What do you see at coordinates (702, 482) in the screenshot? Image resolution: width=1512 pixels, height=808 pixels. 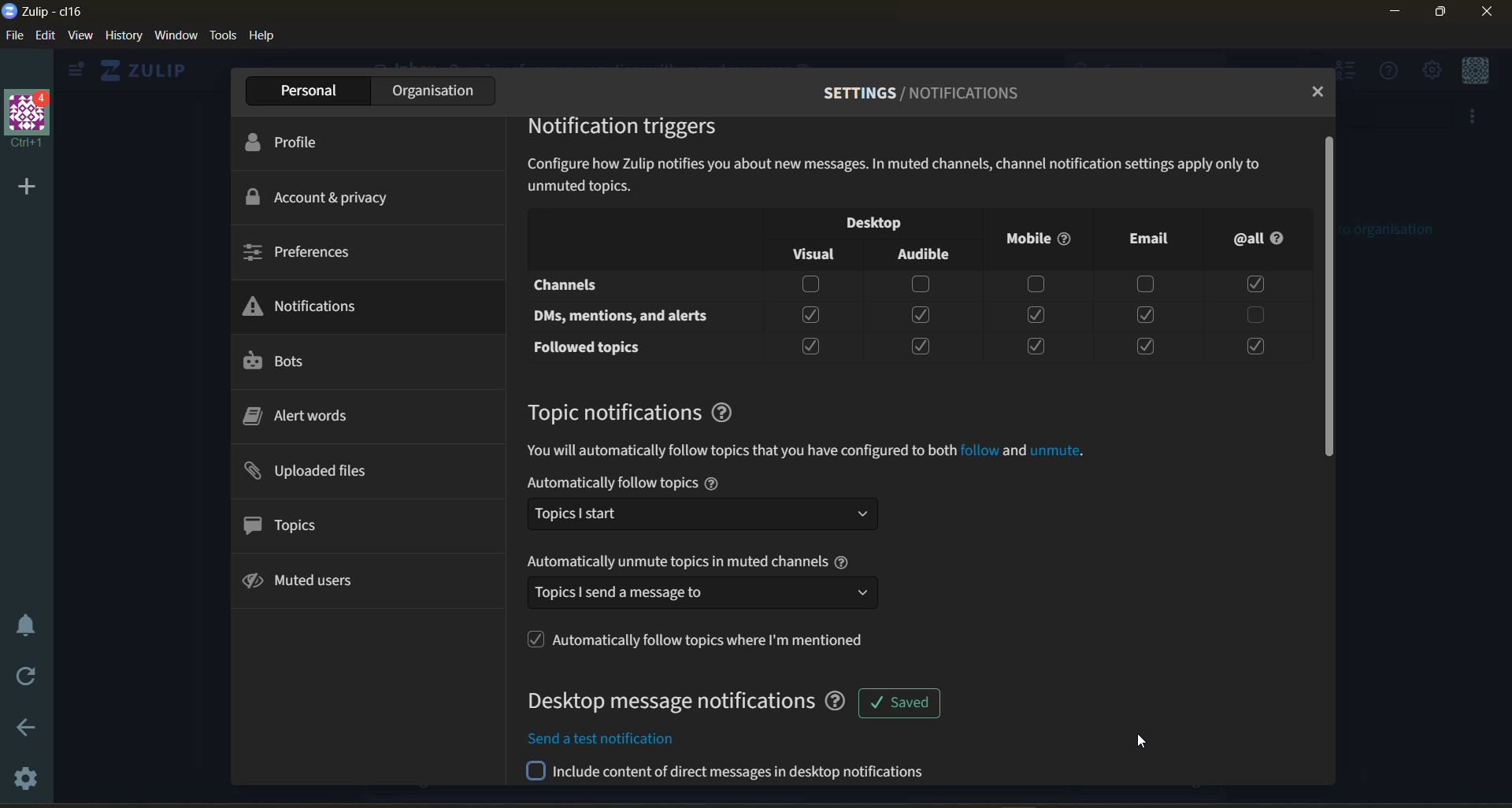 I see `automatically follow topics` at bounding box center [702, 482].